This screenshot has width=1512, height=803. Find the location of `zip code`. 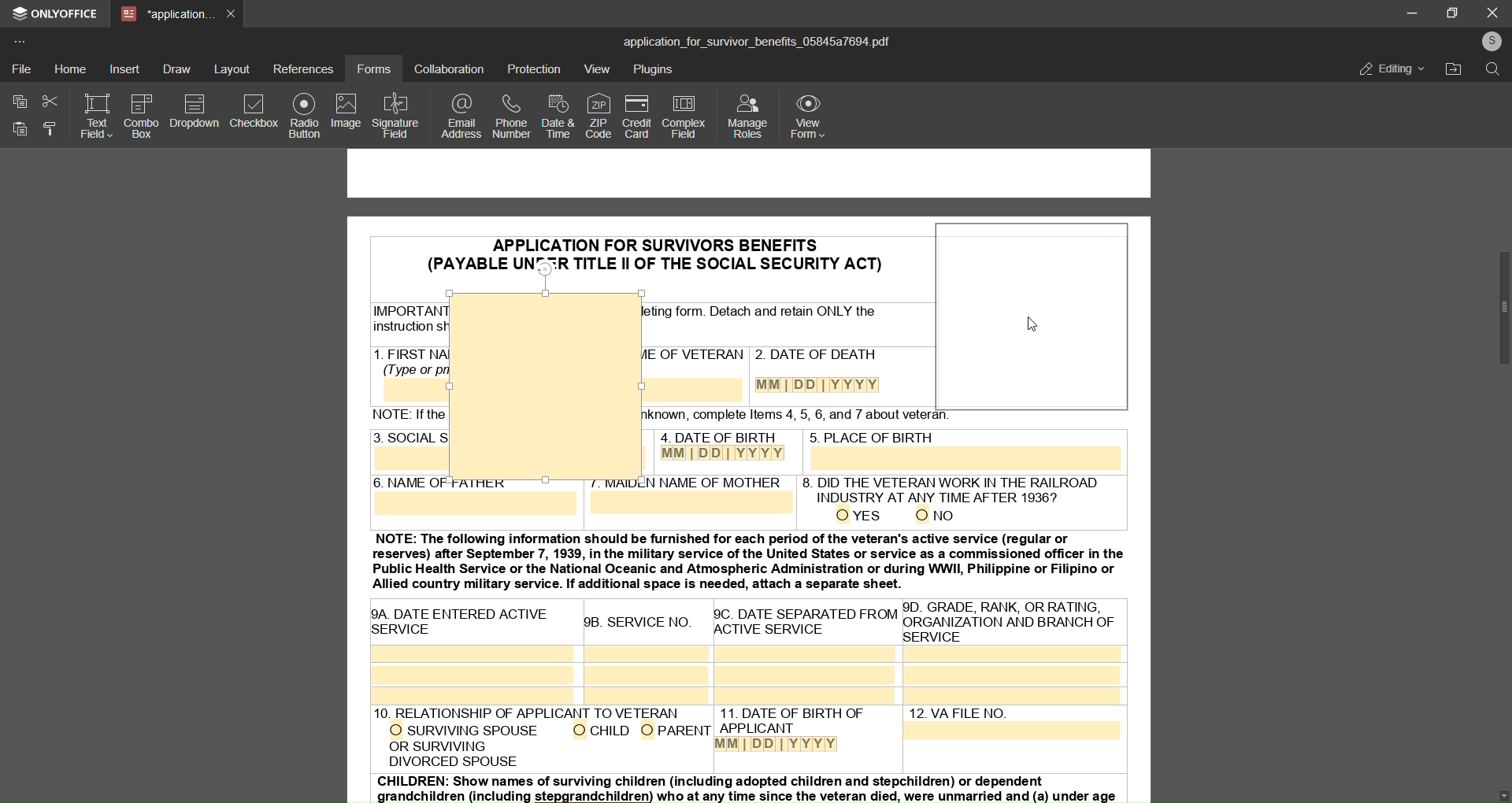

zip code is located at coordinates (596, 114).